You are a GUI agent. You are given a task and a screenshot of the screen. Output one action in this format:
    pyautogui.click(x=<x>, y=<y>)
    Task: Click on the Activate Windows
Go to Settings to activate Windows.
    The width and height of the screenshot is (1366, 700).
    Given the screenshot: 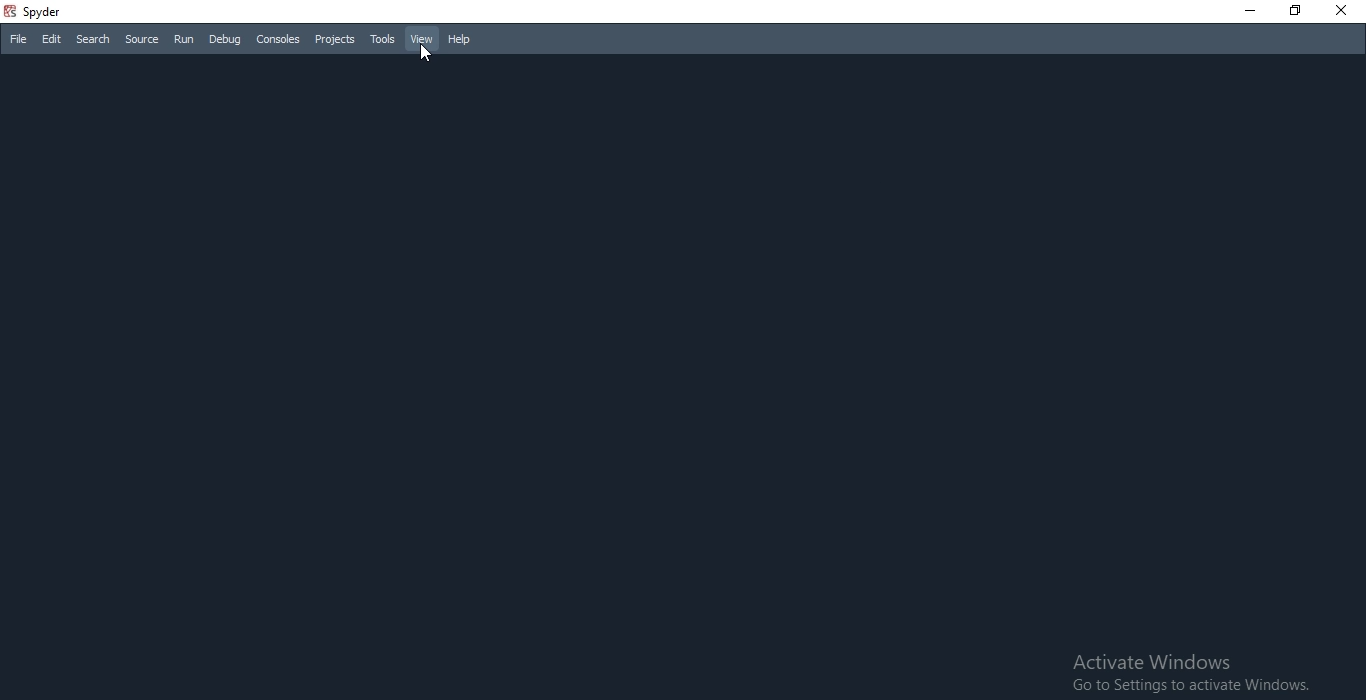 What is the action you would take?
    pyautogui.click(x=1183, y=669)
    